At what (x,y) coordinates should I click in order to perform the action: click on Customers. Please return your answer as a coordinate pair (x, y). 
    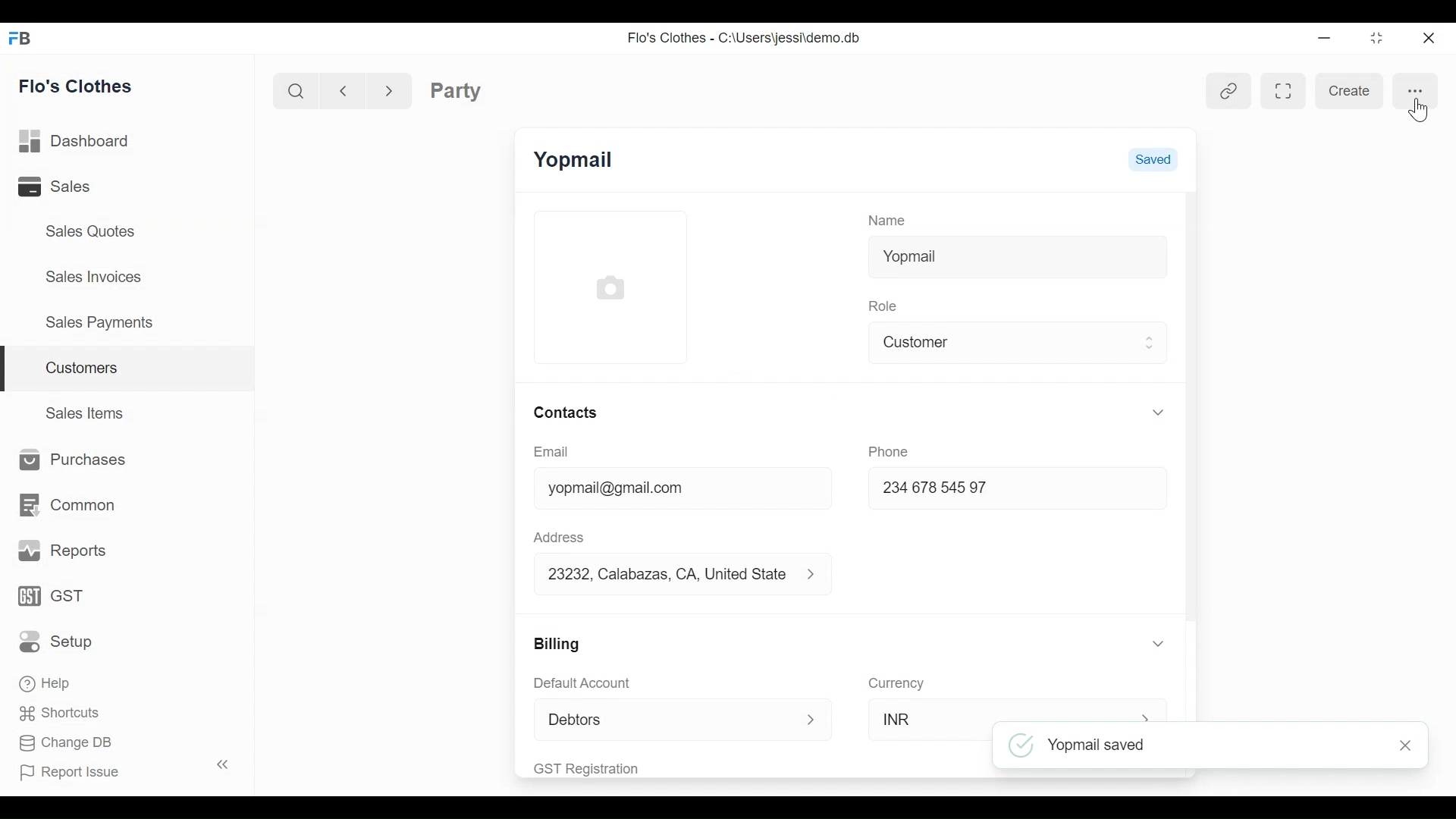
    Looking at the image, I should click on (129, 369).